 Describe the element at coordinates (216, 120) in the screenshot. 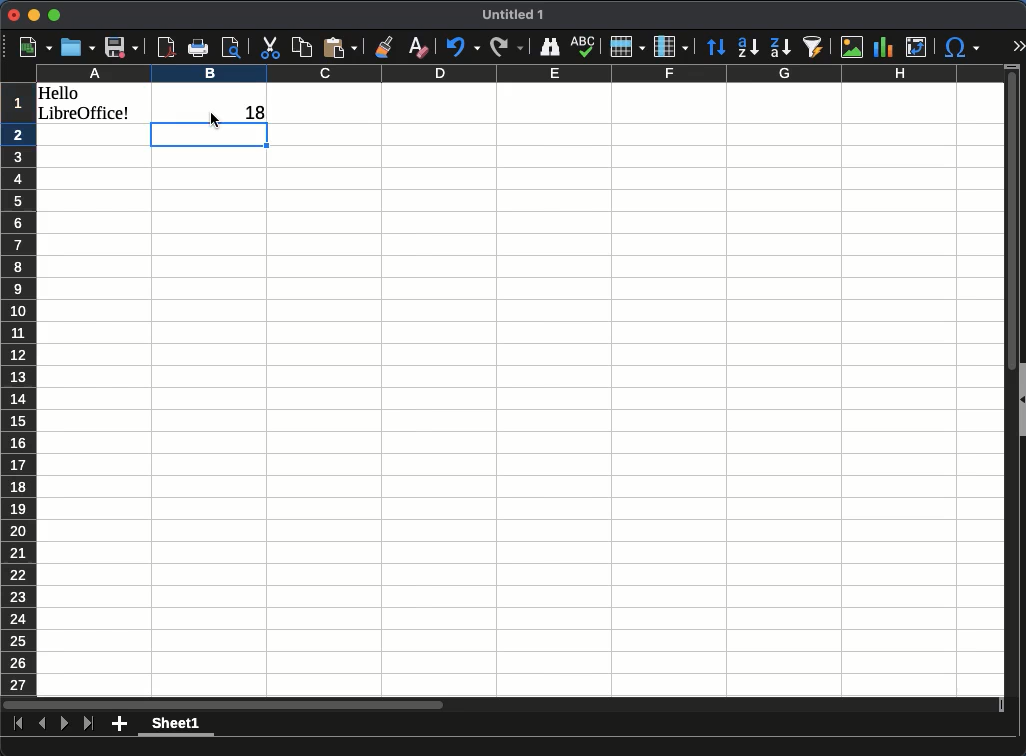

I see `cursor` at that location.